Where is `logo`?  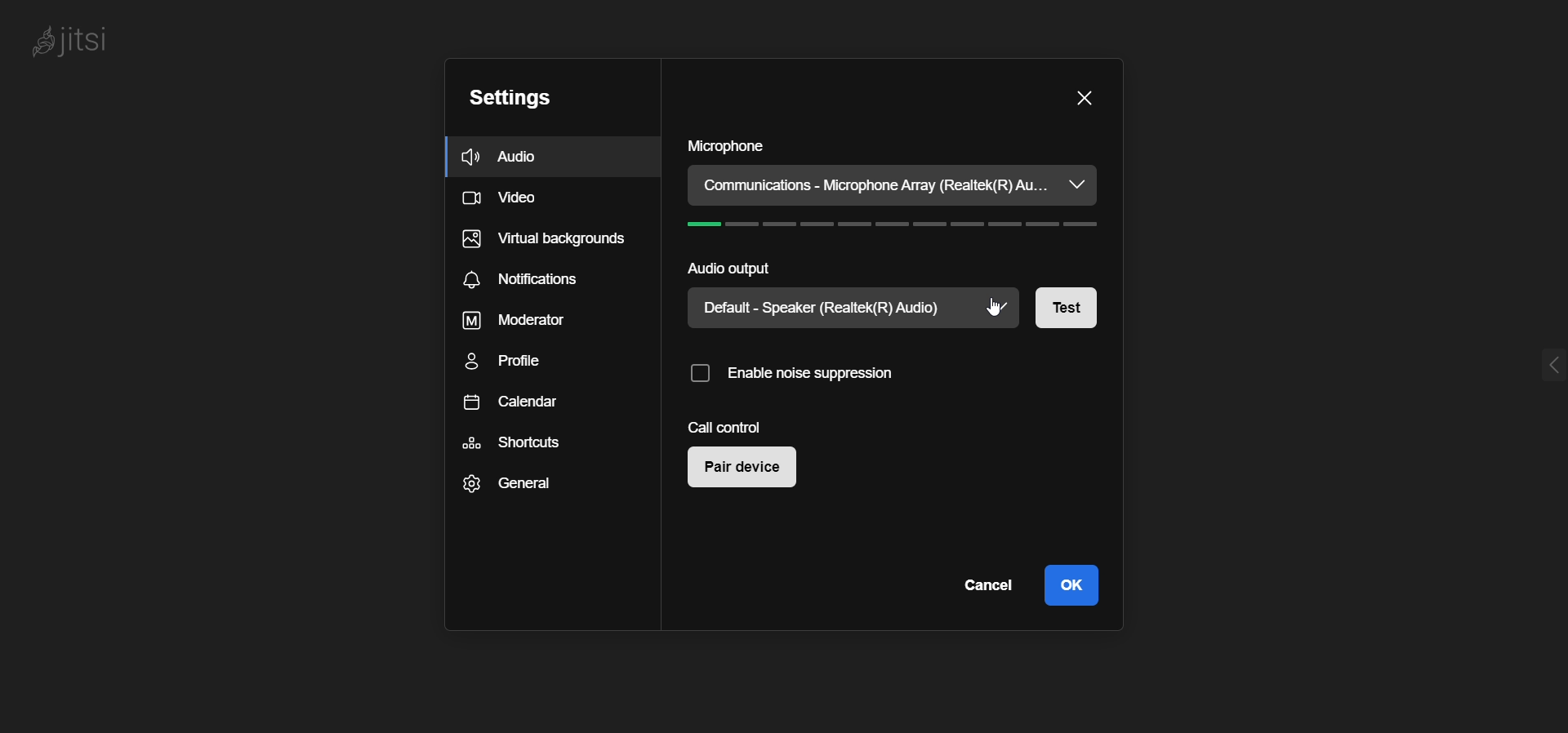 logo is located at coordinates (73, 42).